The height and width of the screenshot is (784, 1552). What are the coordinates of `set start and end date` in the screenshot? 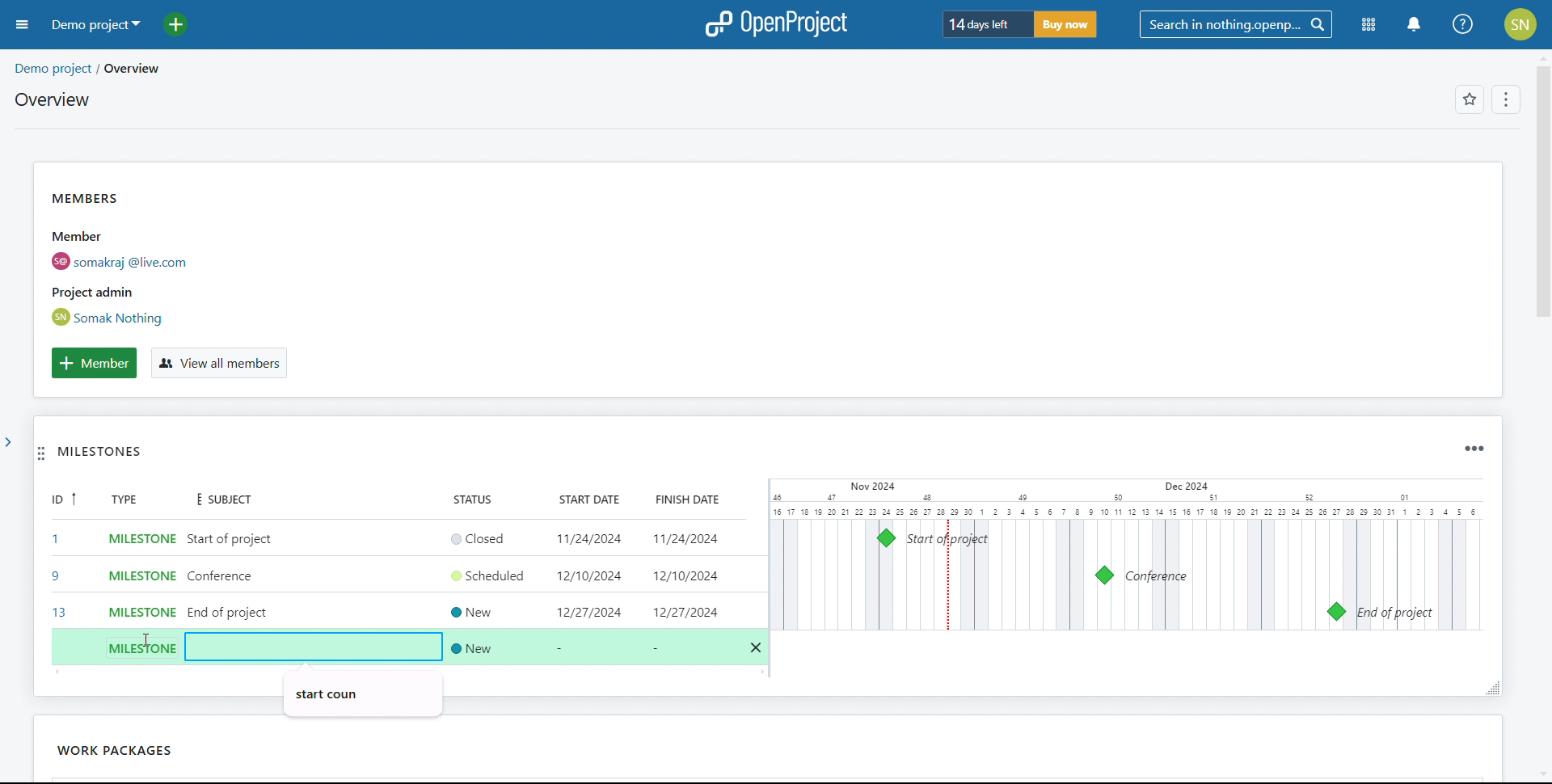 It's located at (661, 575).